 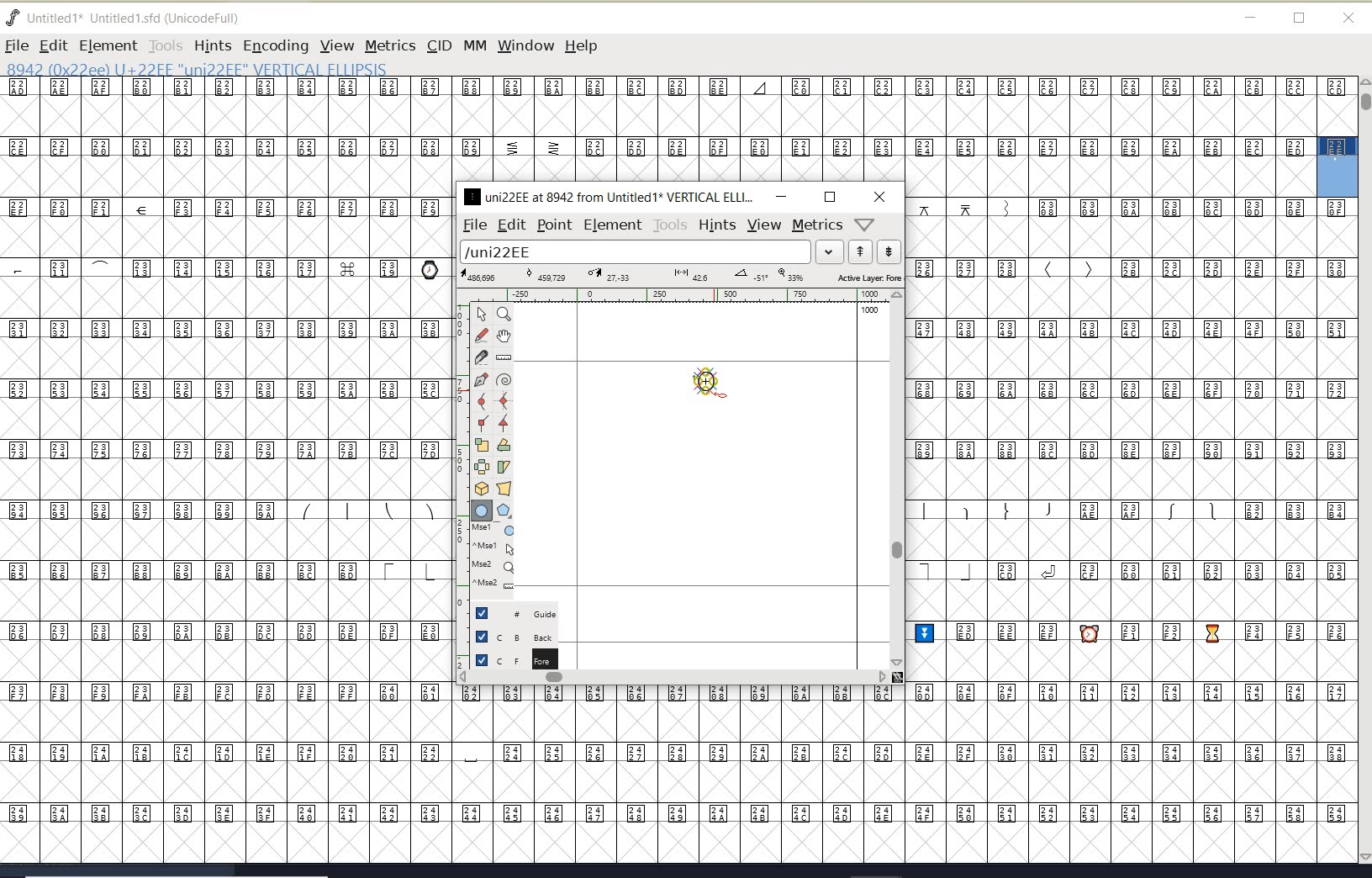 What do you see at coordinates (212, 46) in the screenshot?
I see `HINTS` at bounding box center [212, 46].